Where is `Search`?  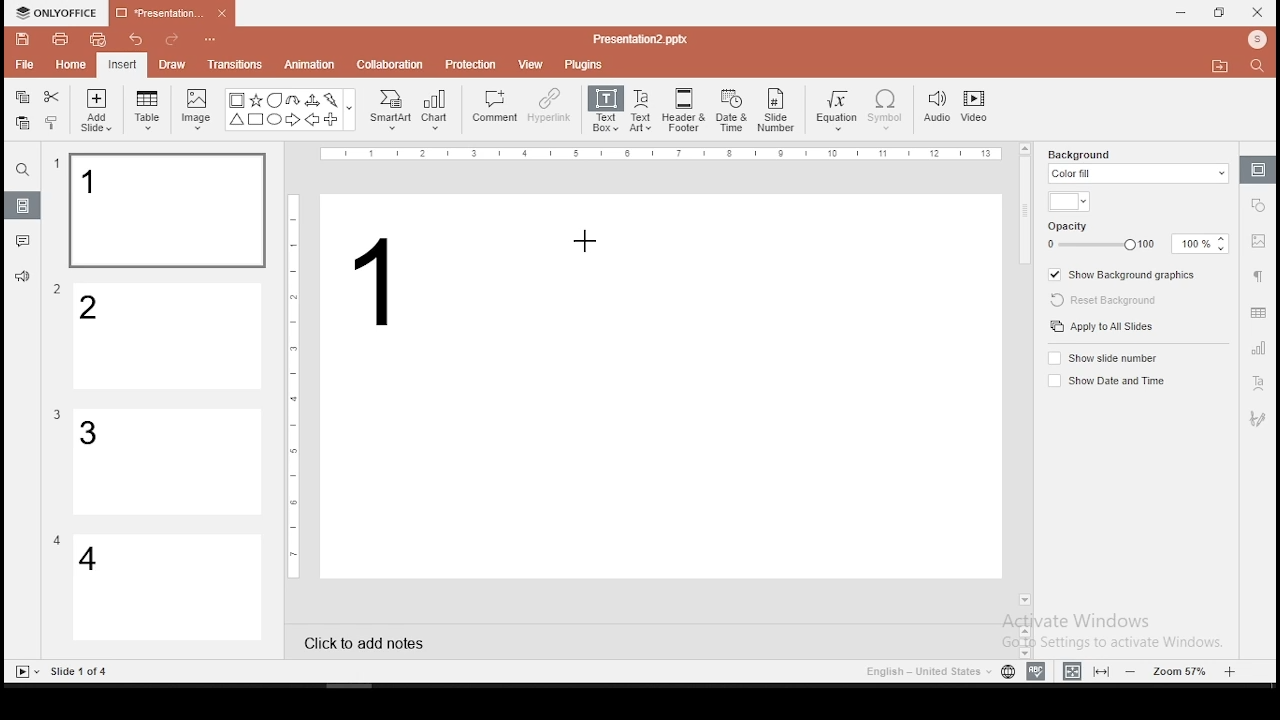
Search is located at coordinates (1263, 67).